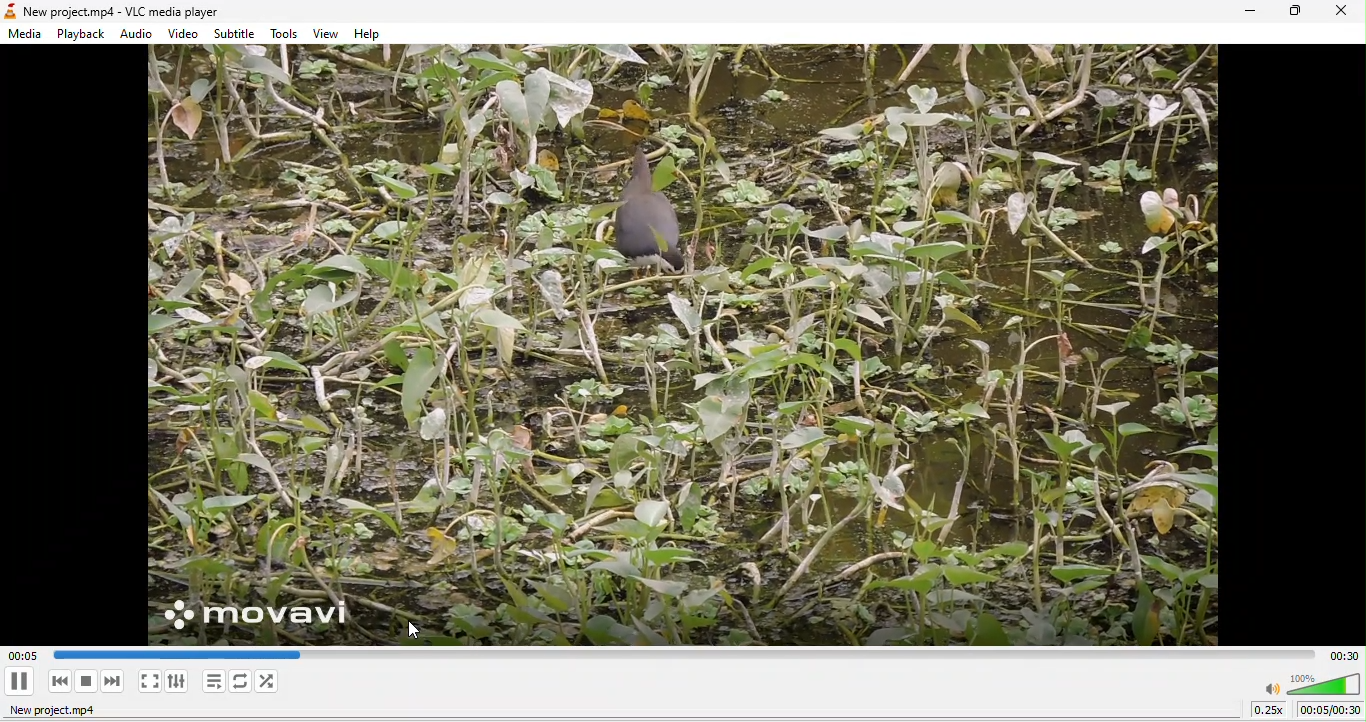  I want to click on playback, so click(79, 35).